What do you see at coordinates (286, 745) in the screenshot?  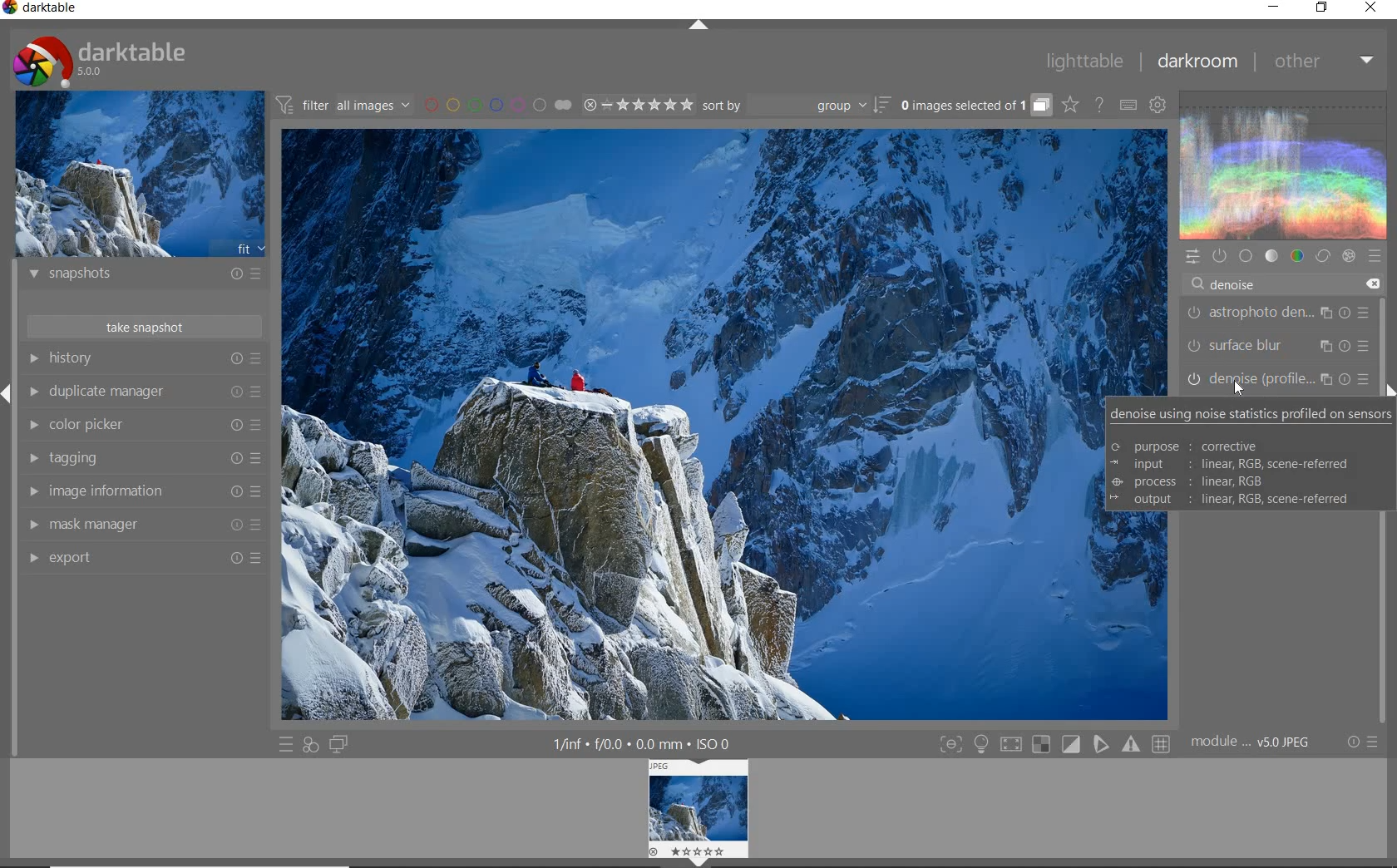 I see `quick access to presets` at bounding box center [286, 745].